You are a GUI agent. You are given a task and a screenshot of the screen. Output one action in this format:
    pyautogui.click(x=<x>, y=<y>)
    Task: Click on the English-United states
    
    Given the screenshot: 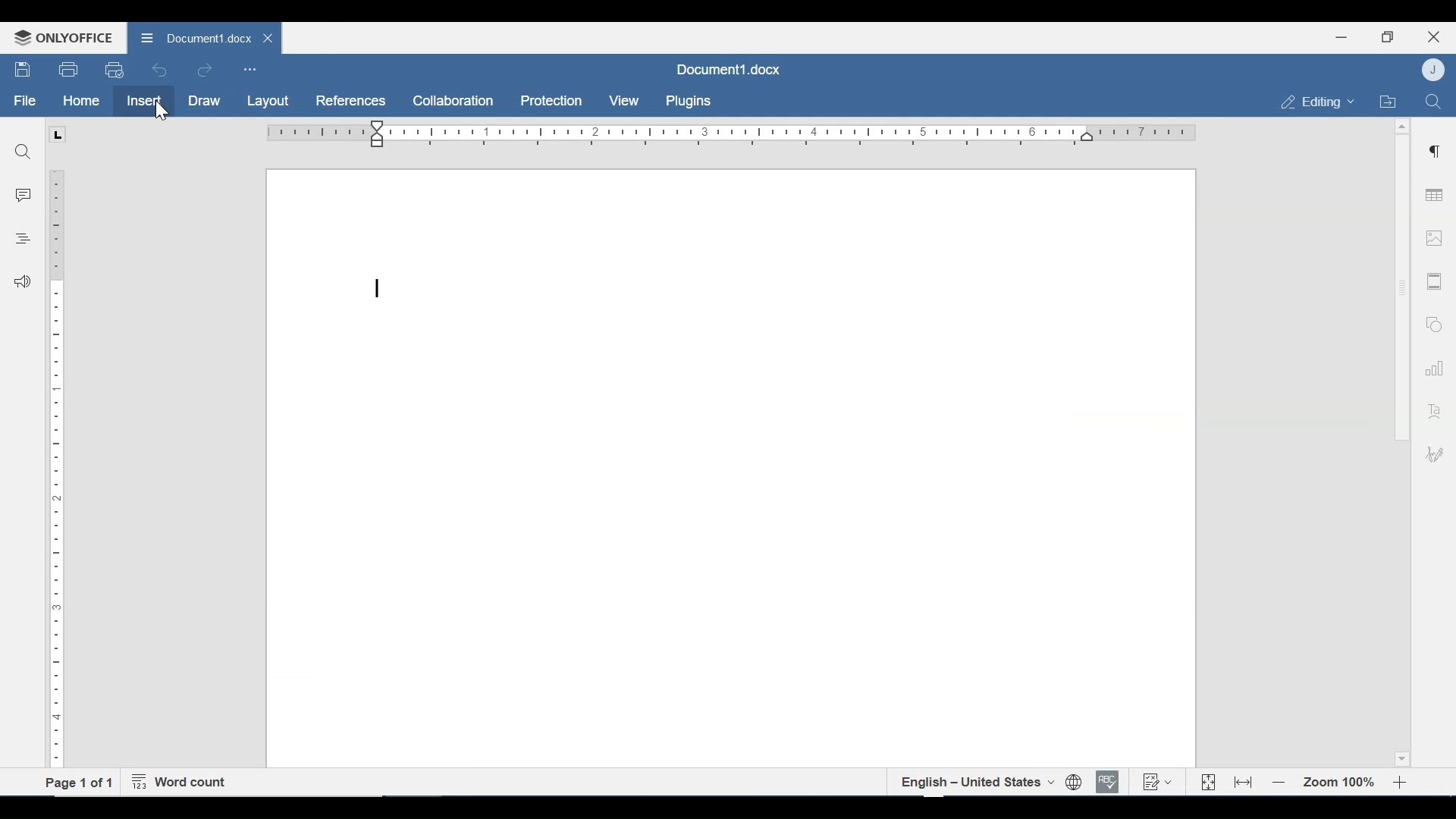 What is the action you would take?
    pyautogui.click(x=976, y=782)
    